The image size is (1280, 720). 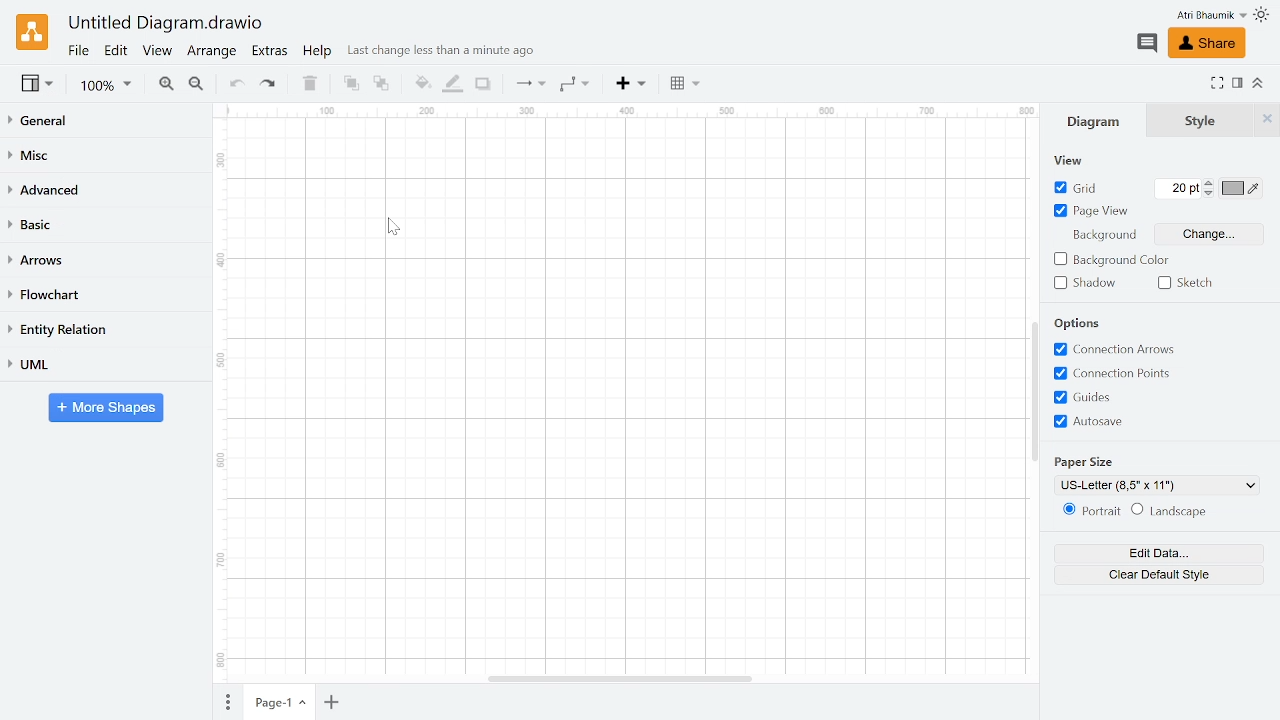 What do you see at coordinates (1121, 373) in the screenshot?
I see `Connection points` at bounding box center [1121, 373].